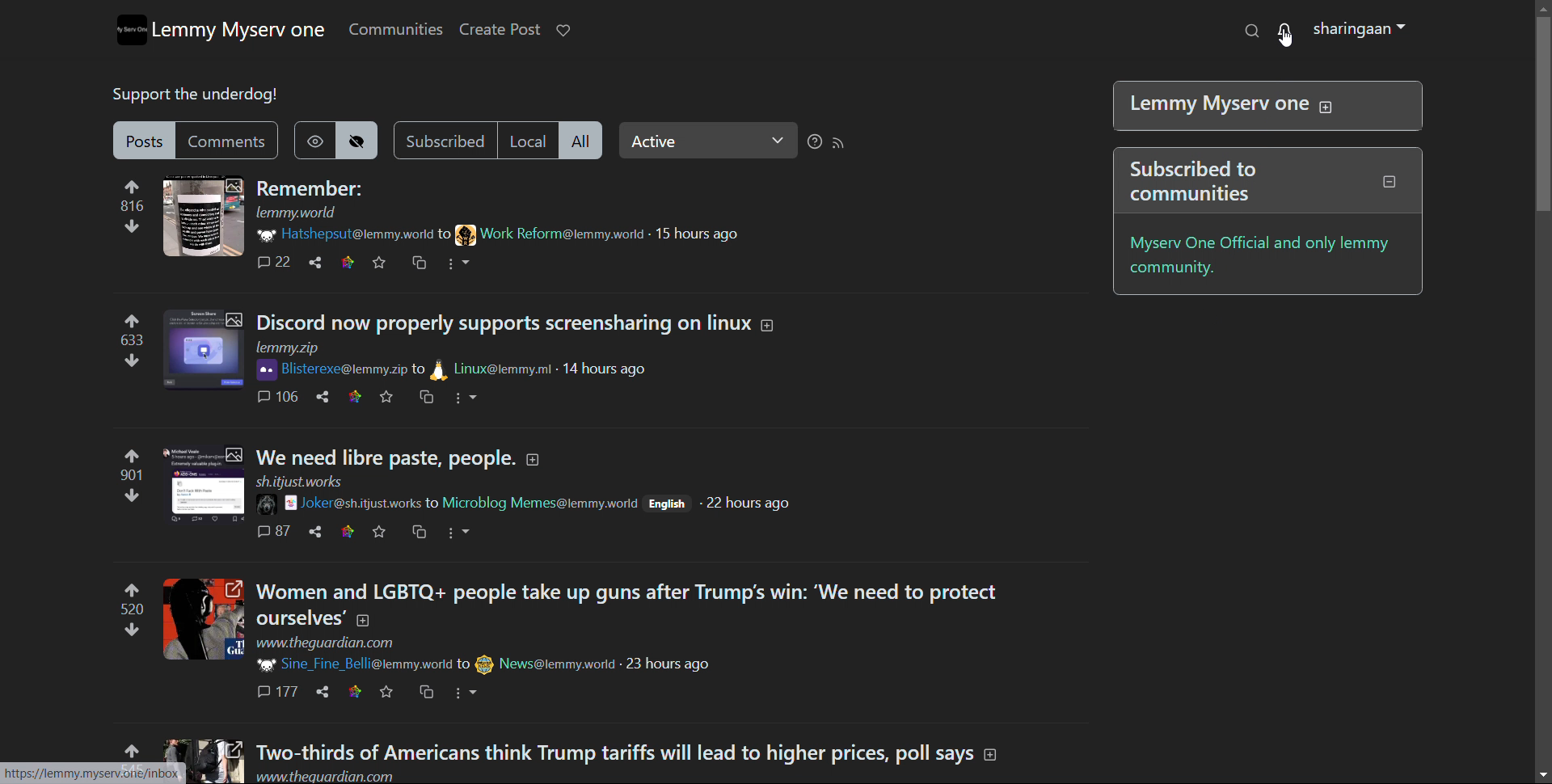 This screenshot has width=1552, height=784. Describe the element at coordinates (461, 533) in the screenshot. I see `options` at that location.